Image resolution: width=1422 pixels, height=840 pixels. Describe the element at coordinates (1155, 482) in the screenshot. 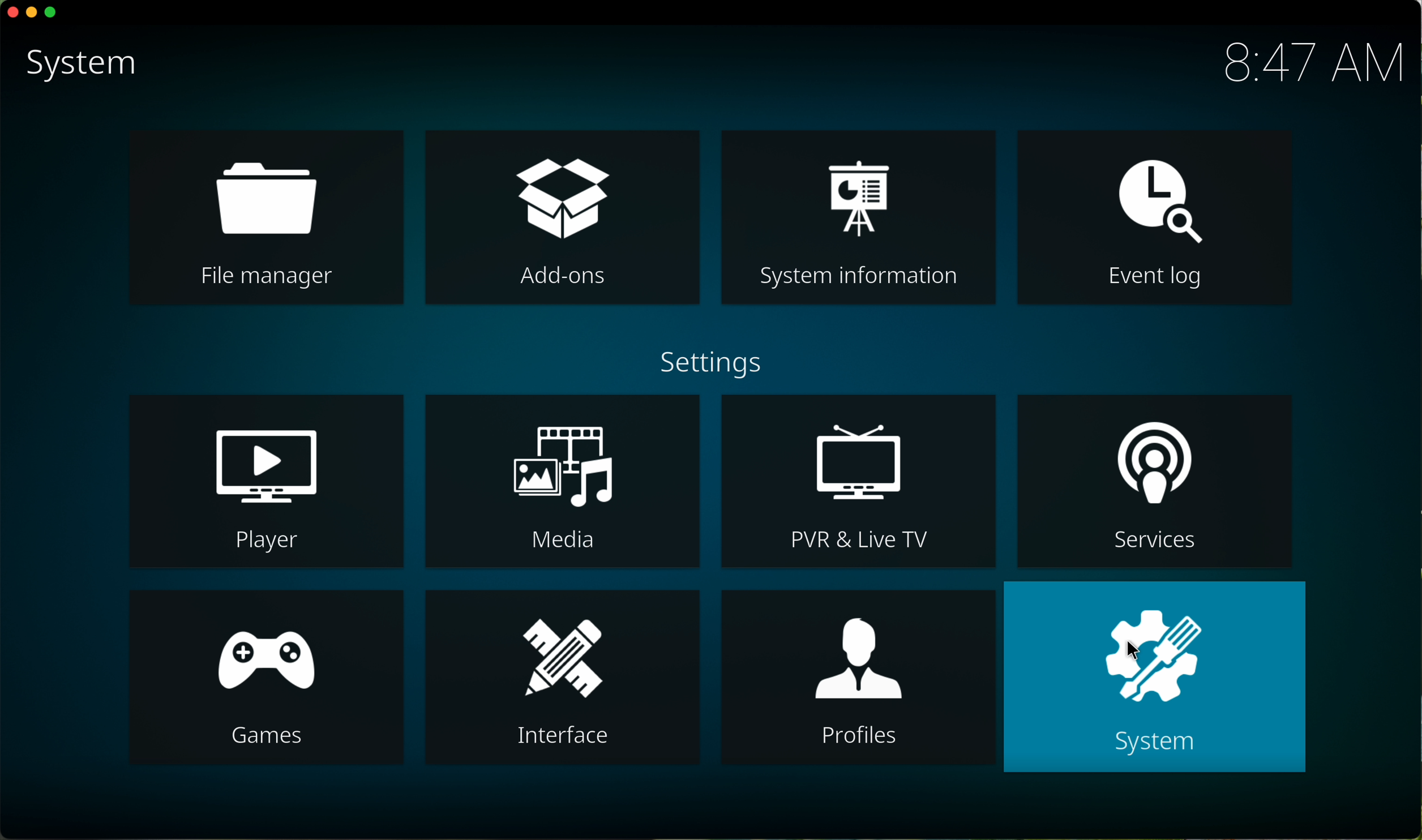

I see `services` at that location.